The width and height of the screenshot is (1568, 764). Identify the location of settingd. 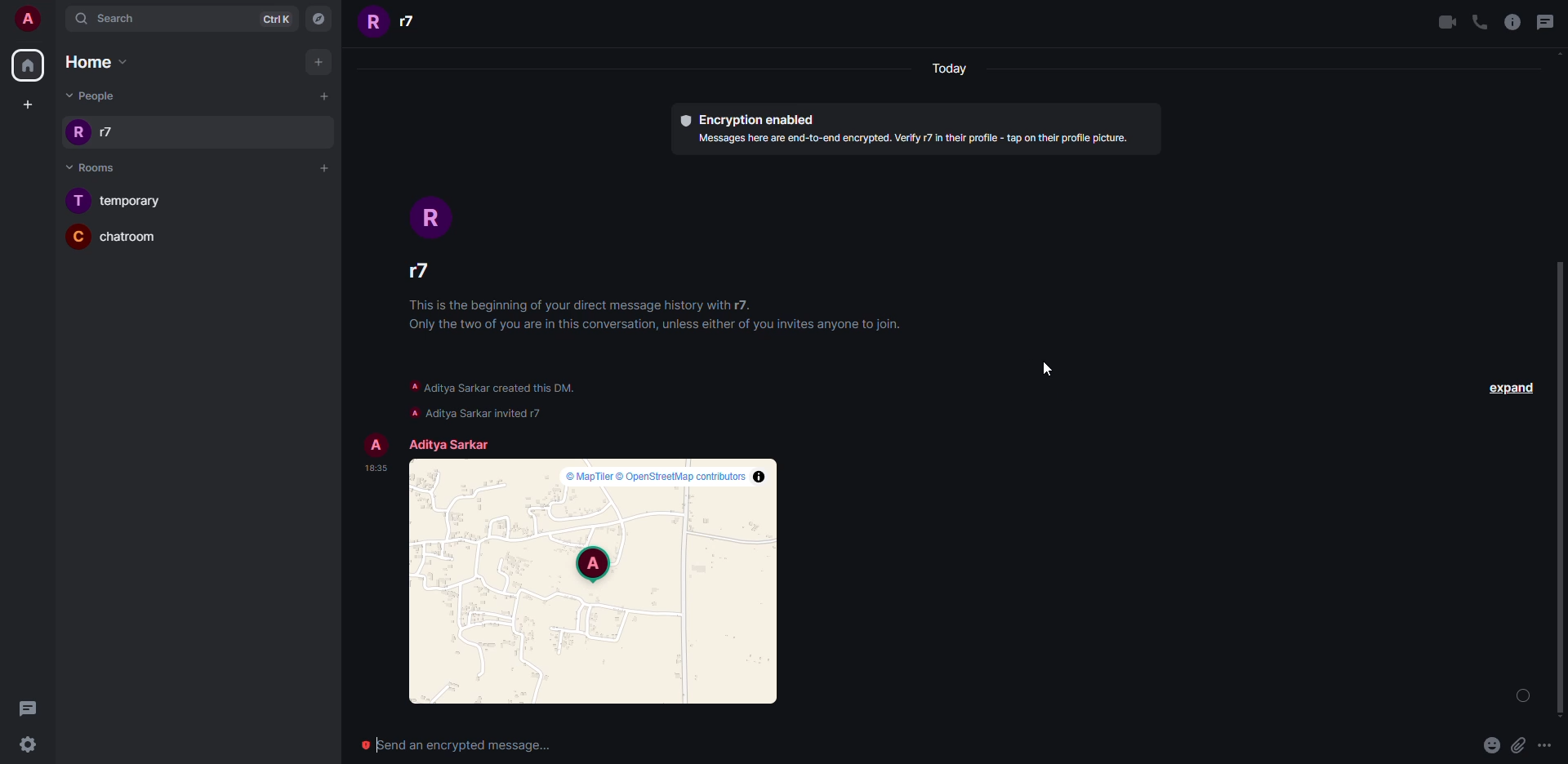
(25, 747).